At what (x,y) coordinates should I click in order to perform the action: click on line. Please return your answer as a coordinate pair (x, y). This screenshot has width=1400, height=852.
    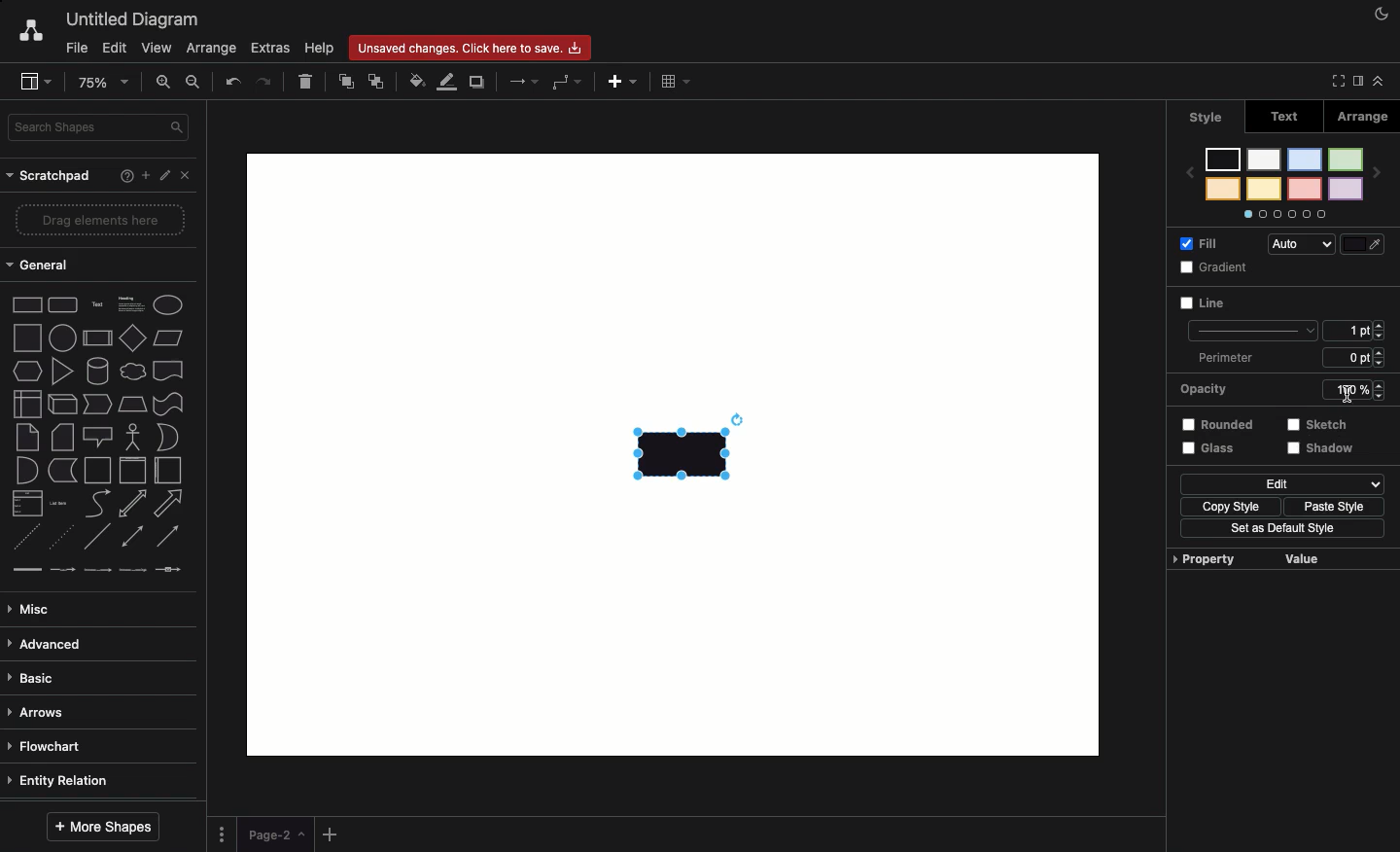
    Looking at the image, I should click on (1250, 328).